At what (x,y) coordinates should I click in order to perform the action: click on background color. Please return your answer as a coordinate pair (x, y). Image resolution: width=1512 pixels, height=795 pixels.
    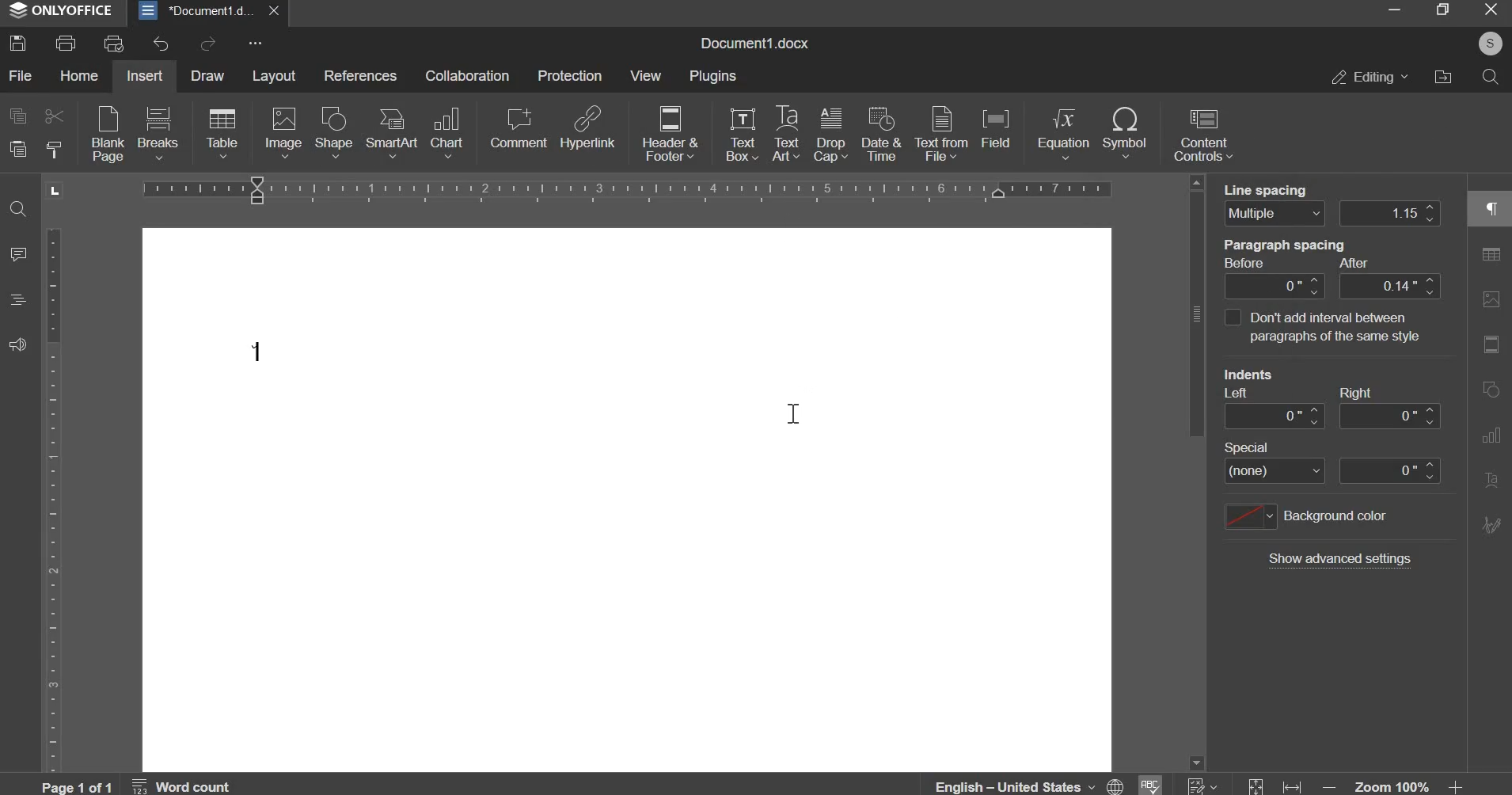
    Looking at the image, I should click on (1305, 516).